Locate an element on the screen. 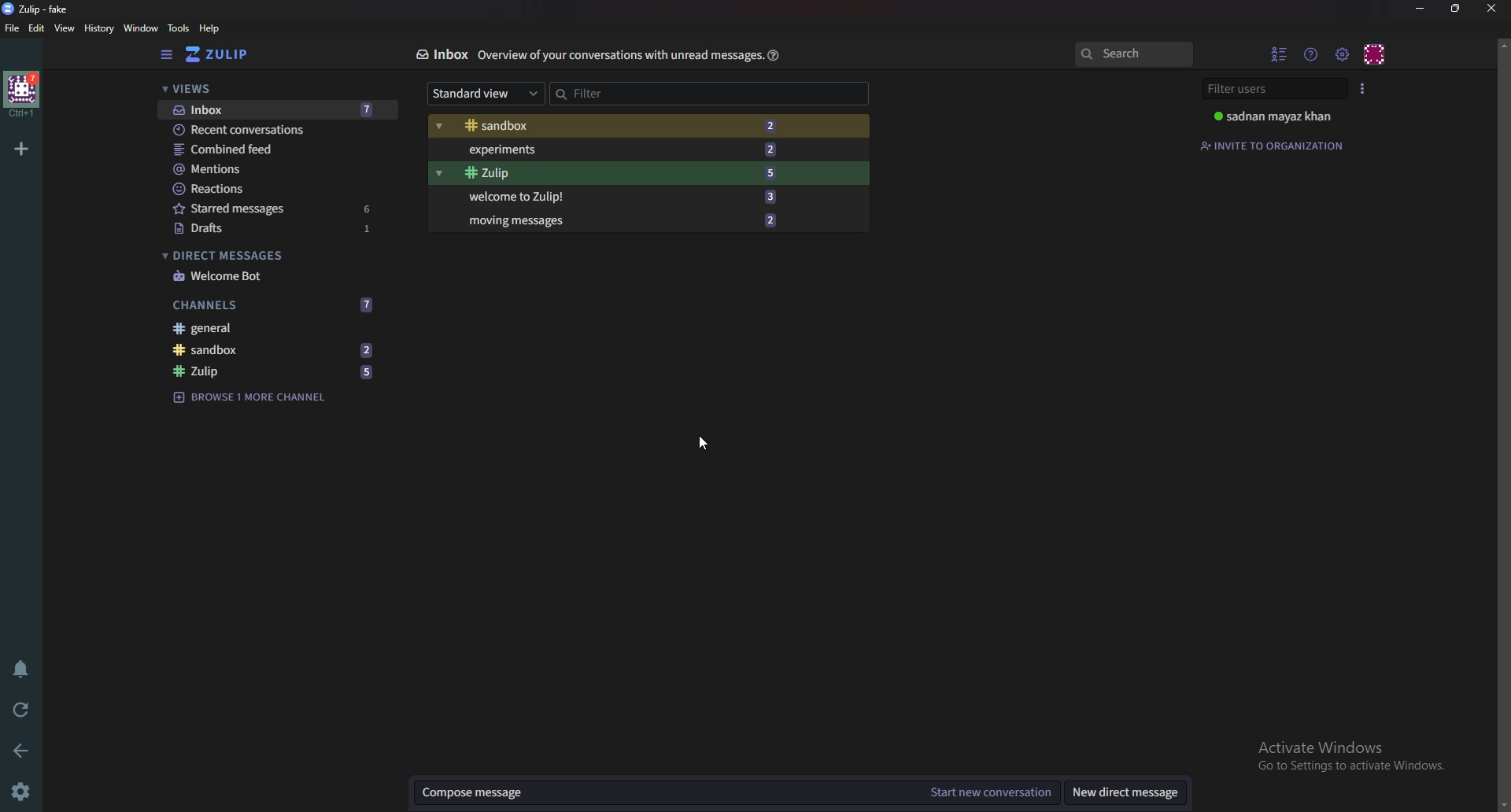 The height and width of the screenshot is (812, 1511). Invite to organization is located at coordinates (1273, 145).